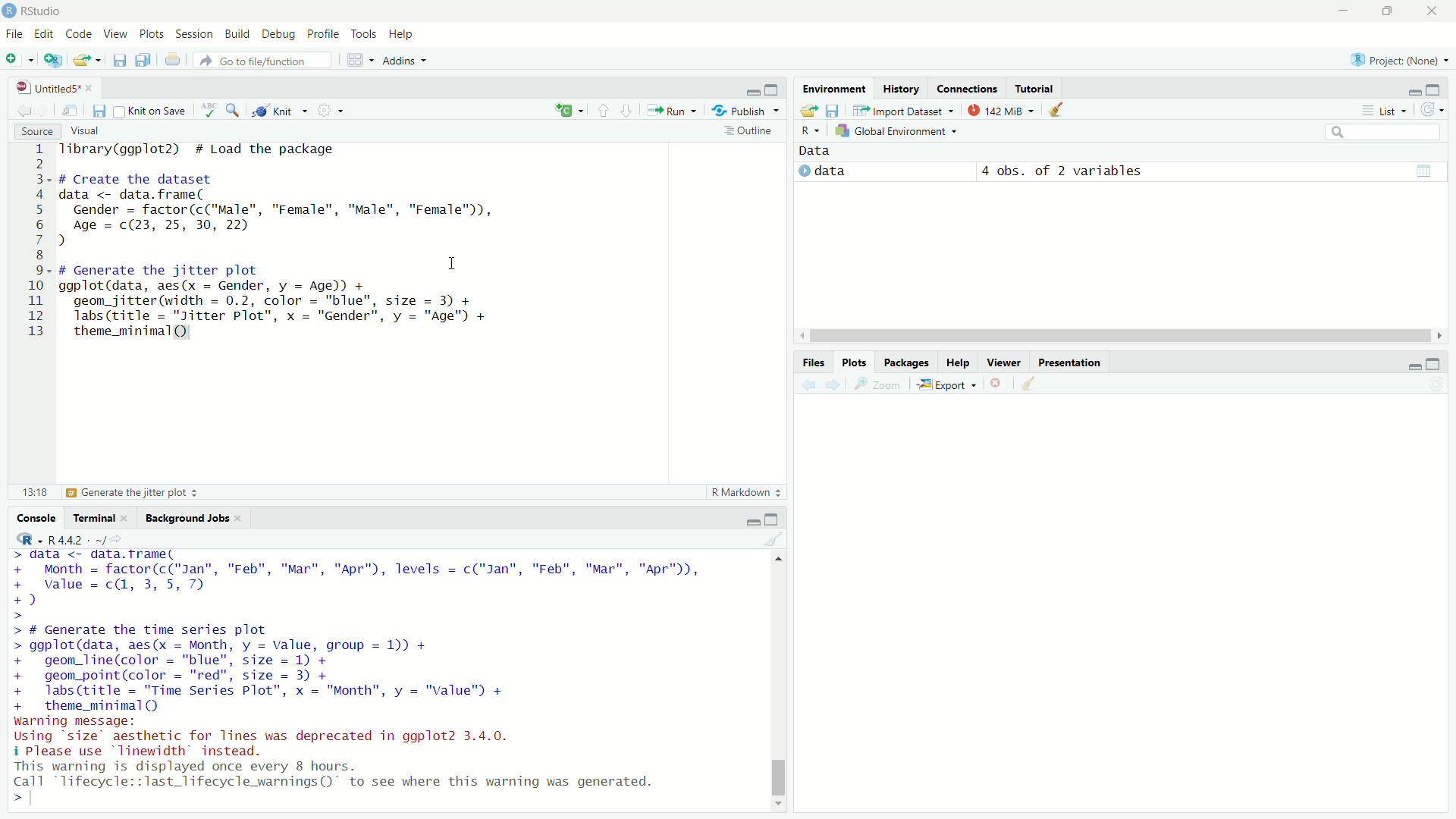 Image resolution: width=1456 pixels, height=819 pixels. Describe the element at coordinates (290, 669) in the screenshot. I see `code to generate the time series plot` at that location.